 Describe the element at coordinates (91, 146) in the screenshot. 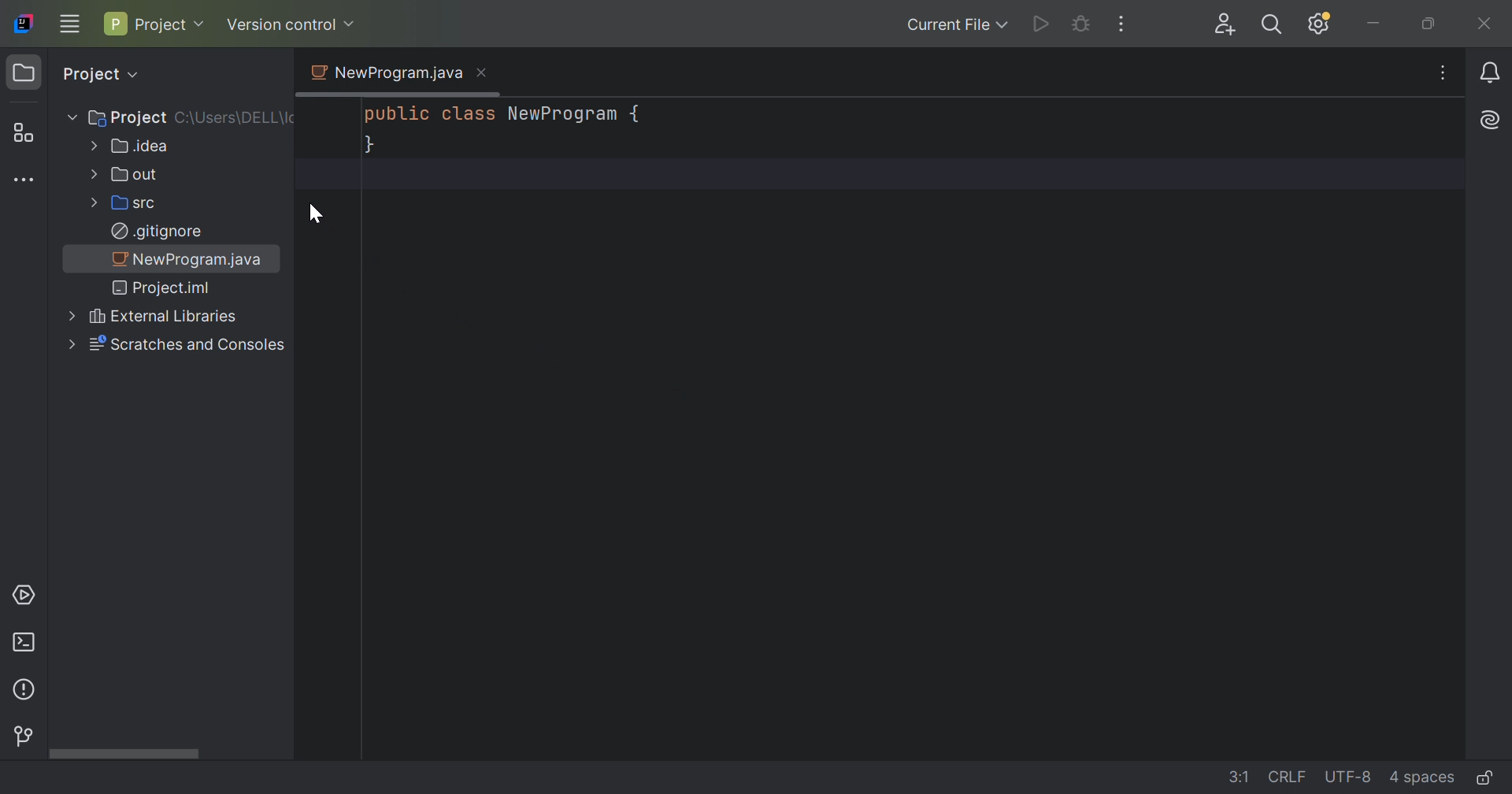

I see `Drop Down` at that location.